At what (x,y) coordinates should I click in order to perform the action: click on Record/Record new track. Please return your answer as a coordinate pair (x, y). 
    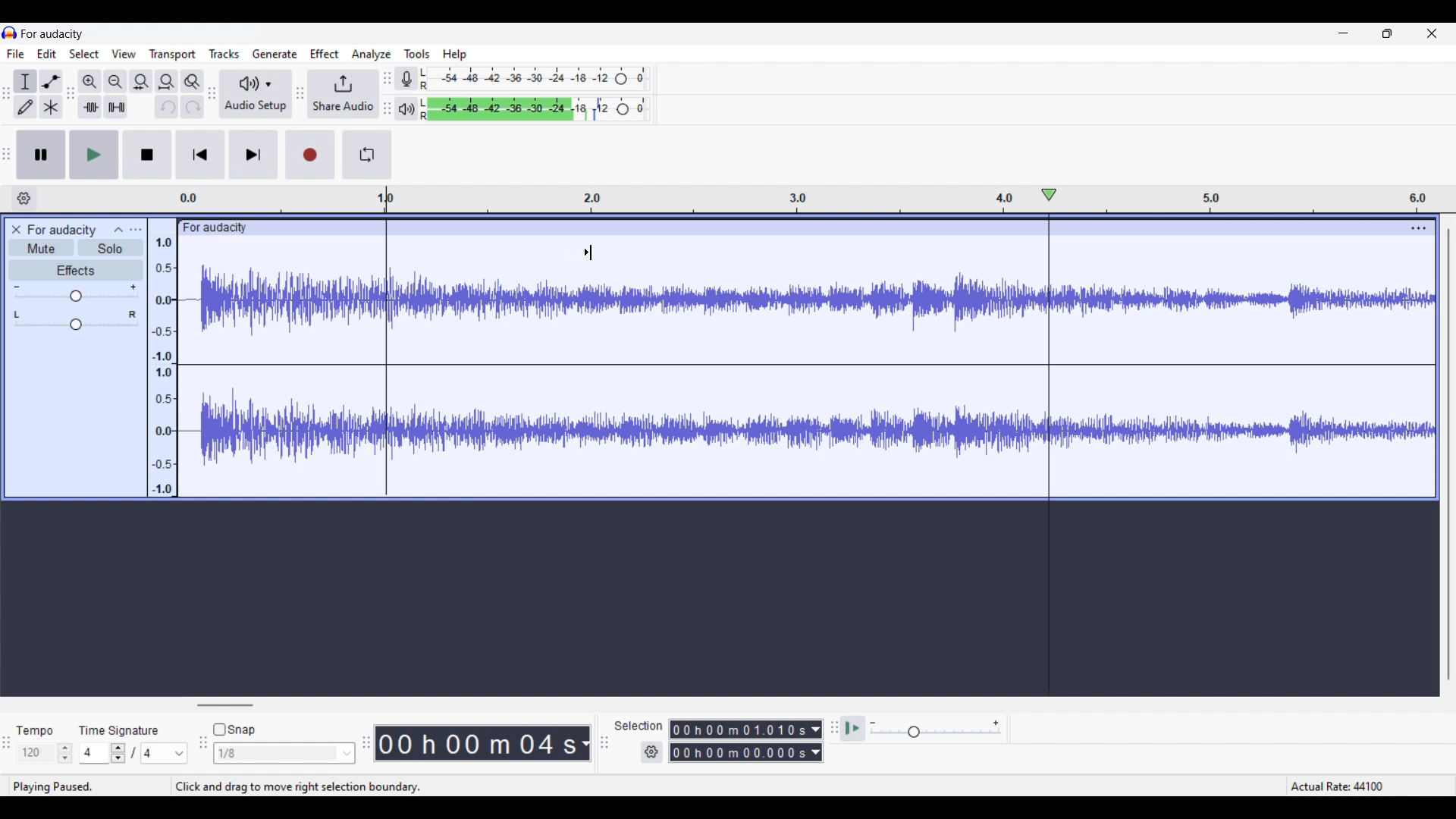
    Looking at the image, I should click on (310, 155).